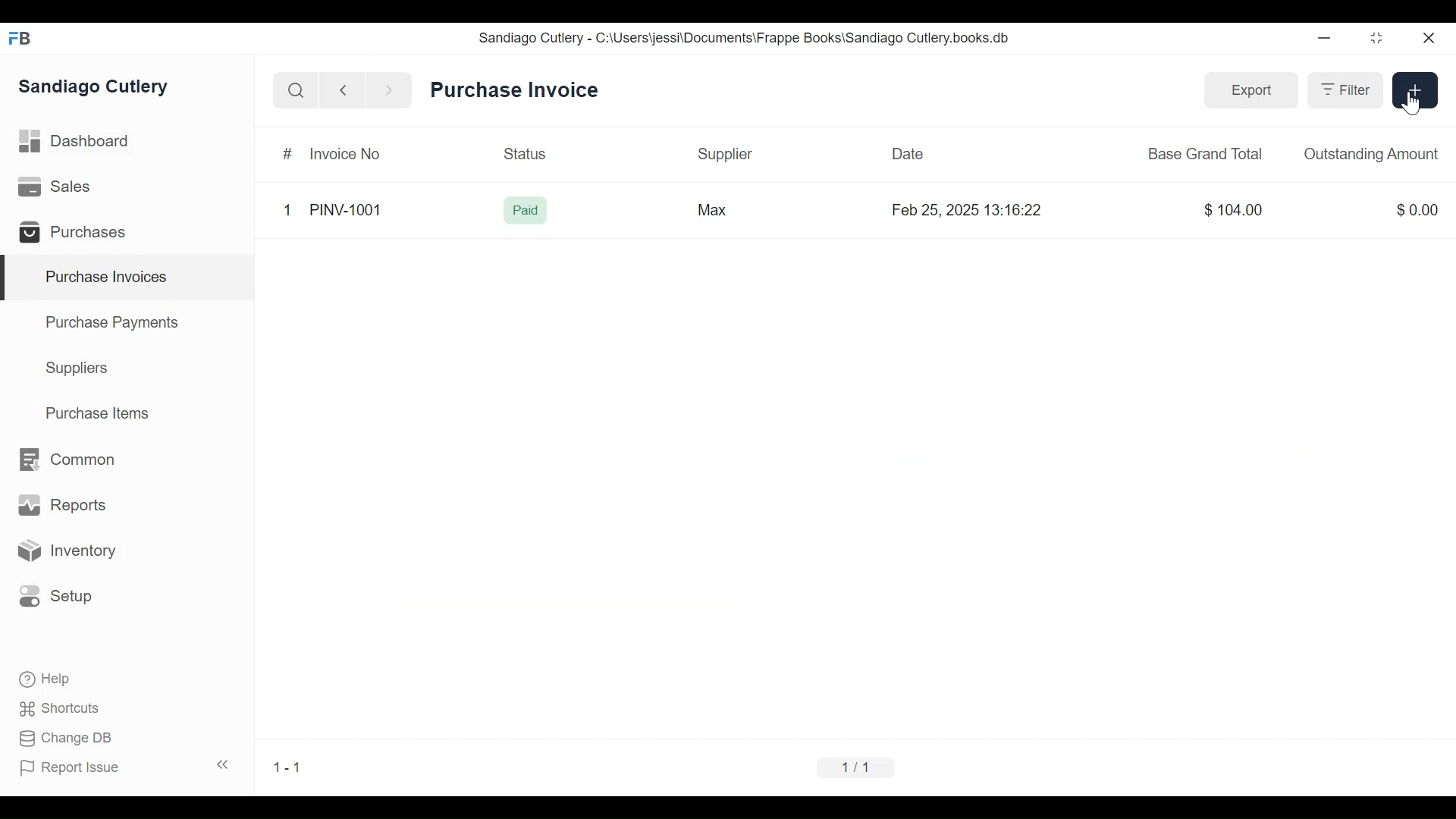 This screenshot has width=1456, height=819. Describe the element at coordinates (287, 767) in the screenshot. I see `1-1` at that location.